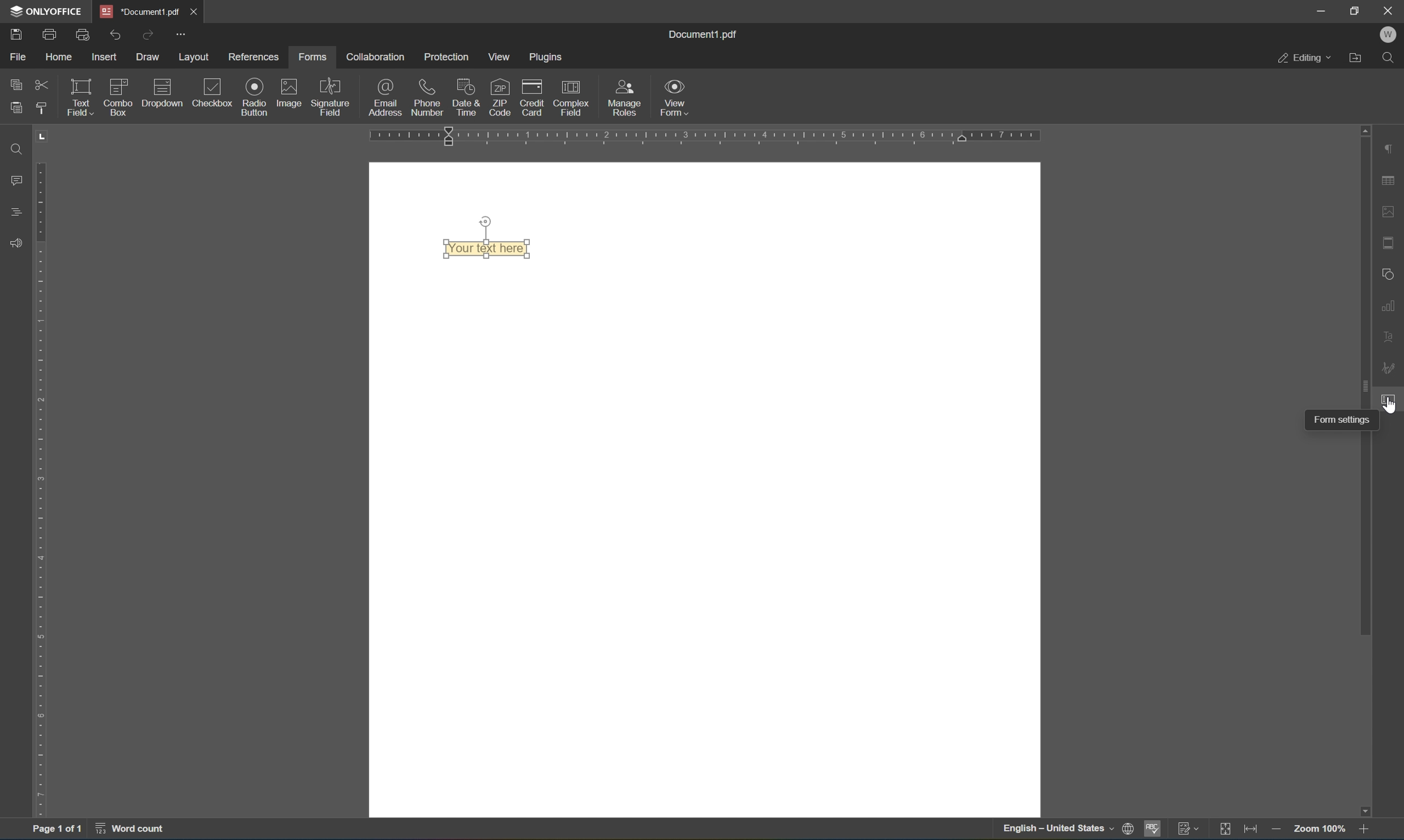 Image resolution: width=1404 pixels, height=840 pixels. What do you see at coordinates (313, 58) in the screenshot?
I see `forms` at bounding box center [313, 58].